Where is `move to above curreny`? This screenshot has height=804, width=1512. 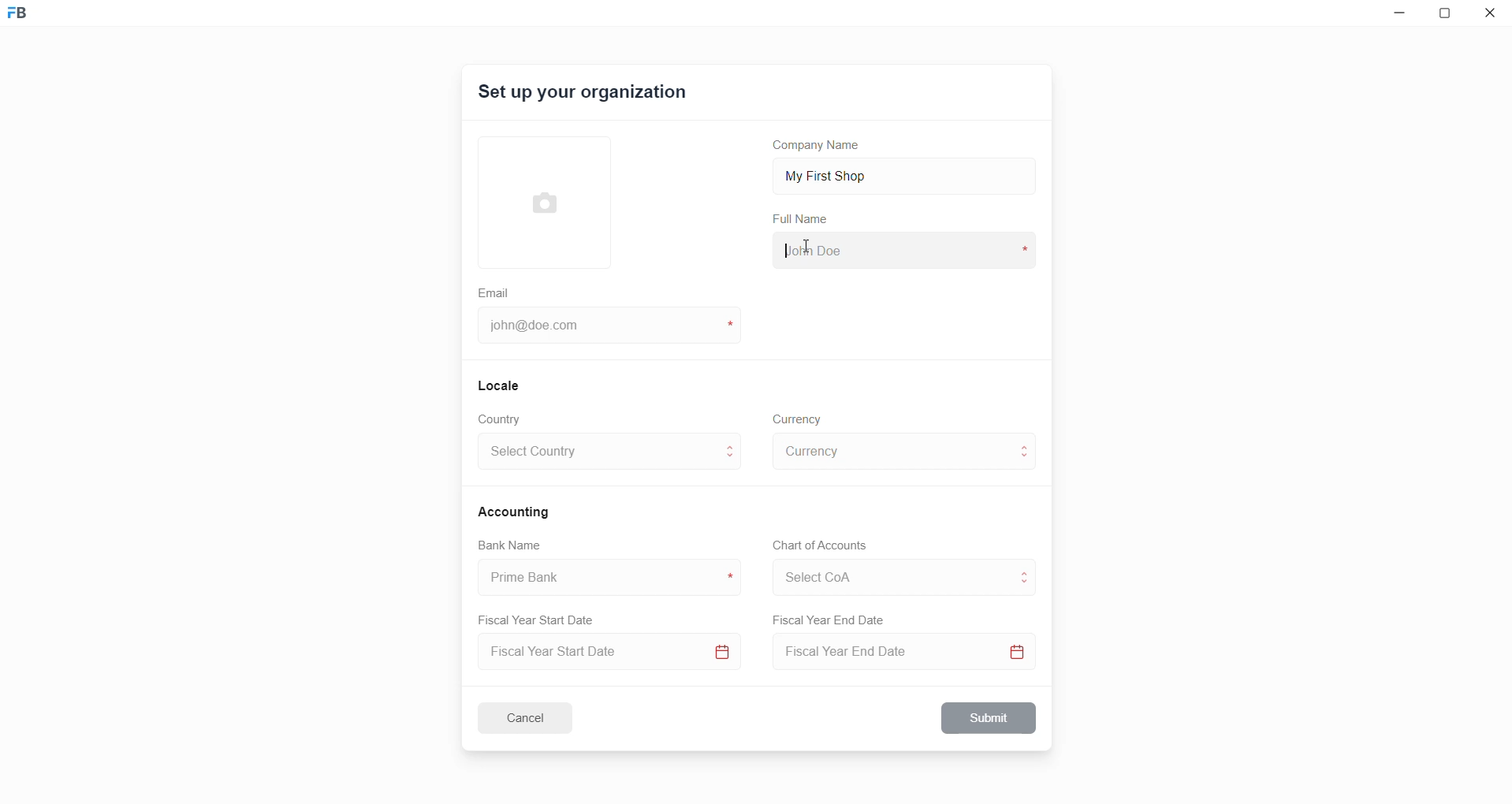
move to above curreny is located at coordinates (1028, 445).